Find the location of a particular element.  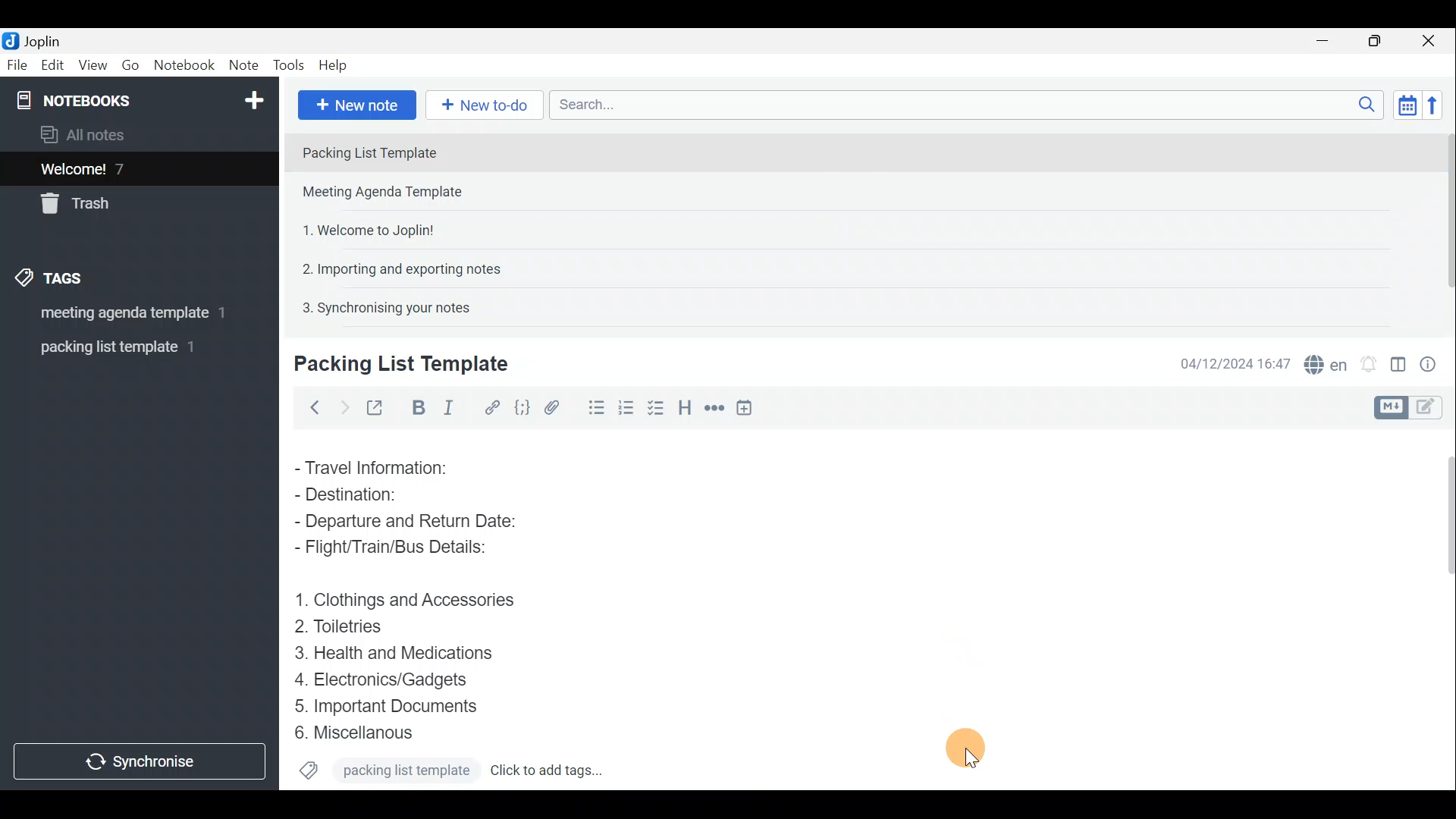

Code is located at coordinates (522, 406).